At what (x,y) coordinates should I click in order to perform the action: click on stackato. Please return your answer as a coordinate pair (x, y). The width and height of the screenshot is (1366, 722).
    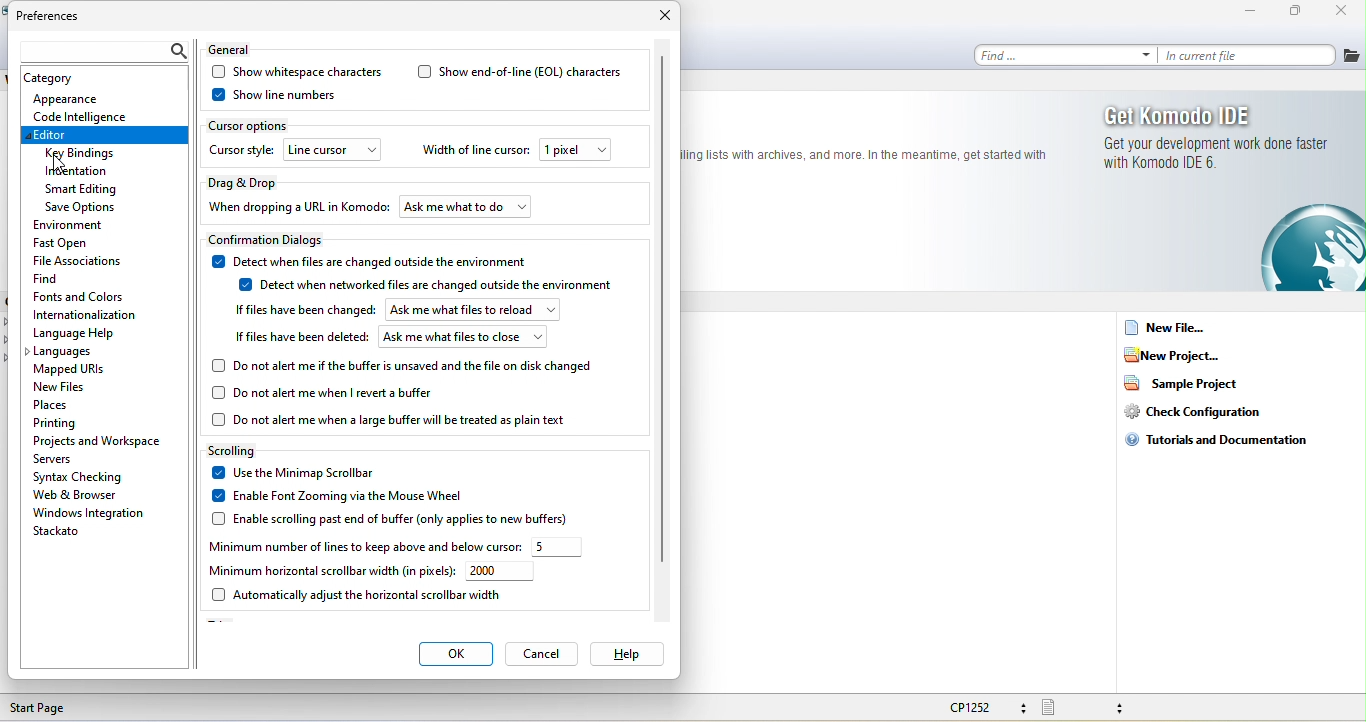
    Looking at the image, I should click on (60, 531).